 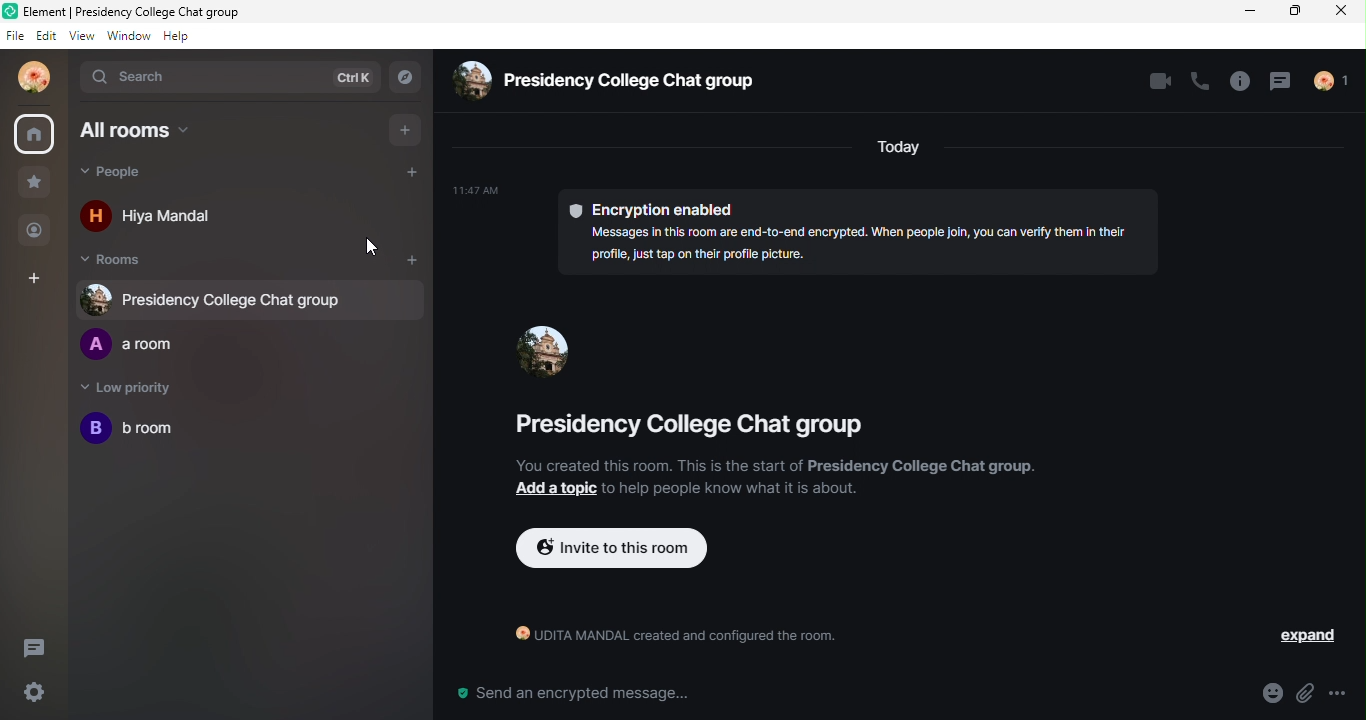 What do you see at coordinates (1295, 636) in the screenshot?
I see `expand` at bounding box center [1295, 636].